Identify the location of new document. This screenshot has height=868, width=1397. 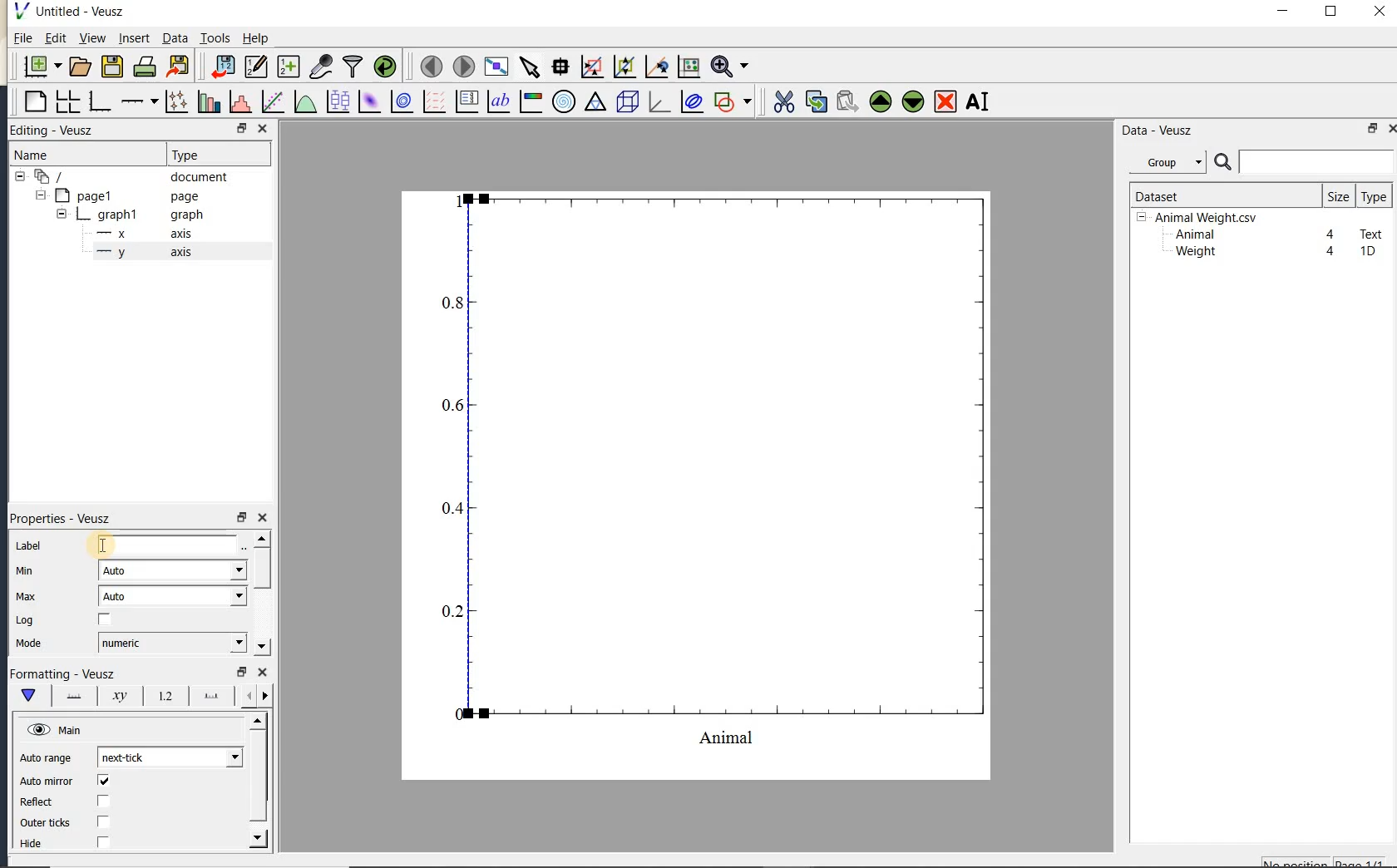
(38, 67).